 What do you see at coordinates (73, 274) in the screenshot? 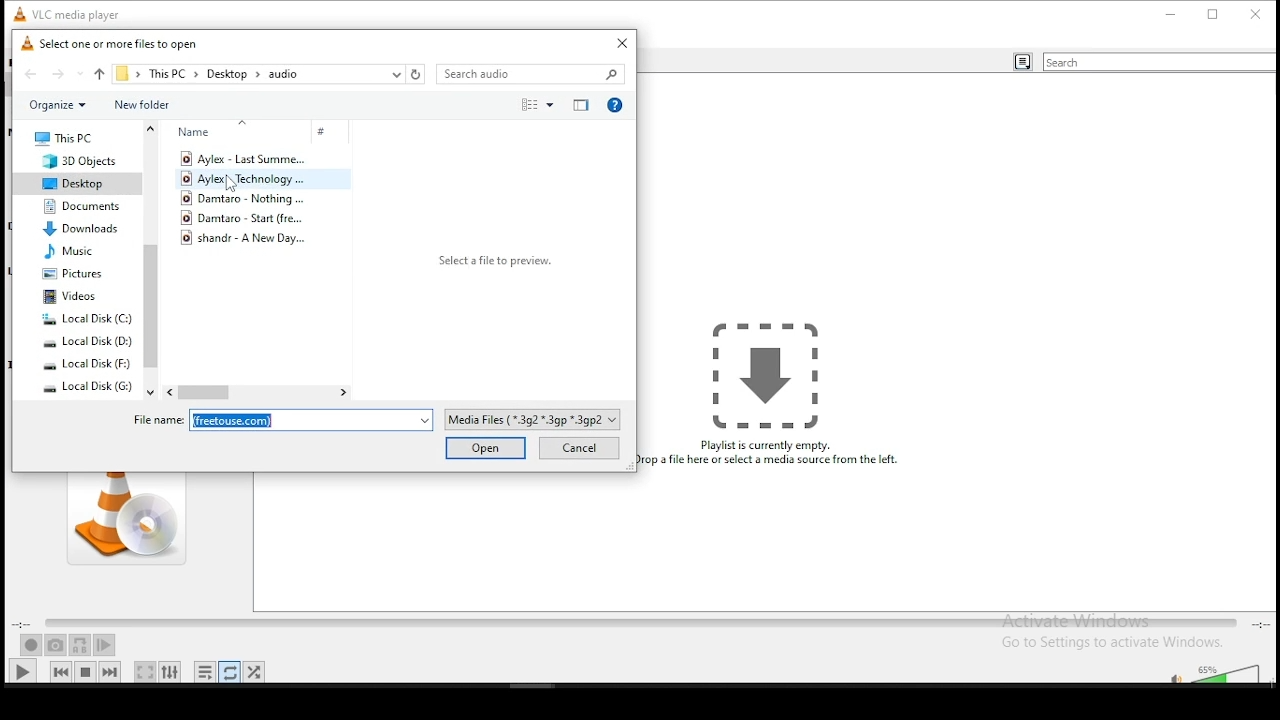
I see `pictures` at bounding box center [73, 274].